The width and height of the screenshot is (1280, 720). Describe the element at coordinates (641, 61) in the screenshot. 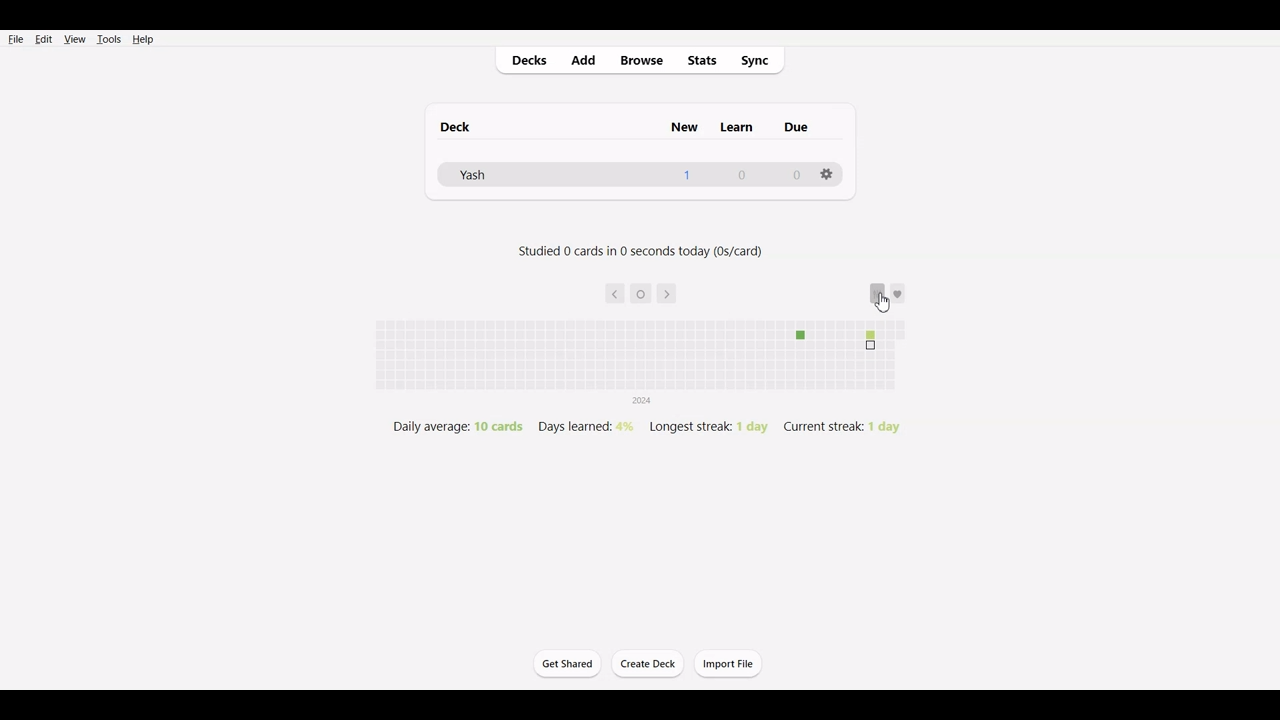

I see `Browse` at that location.